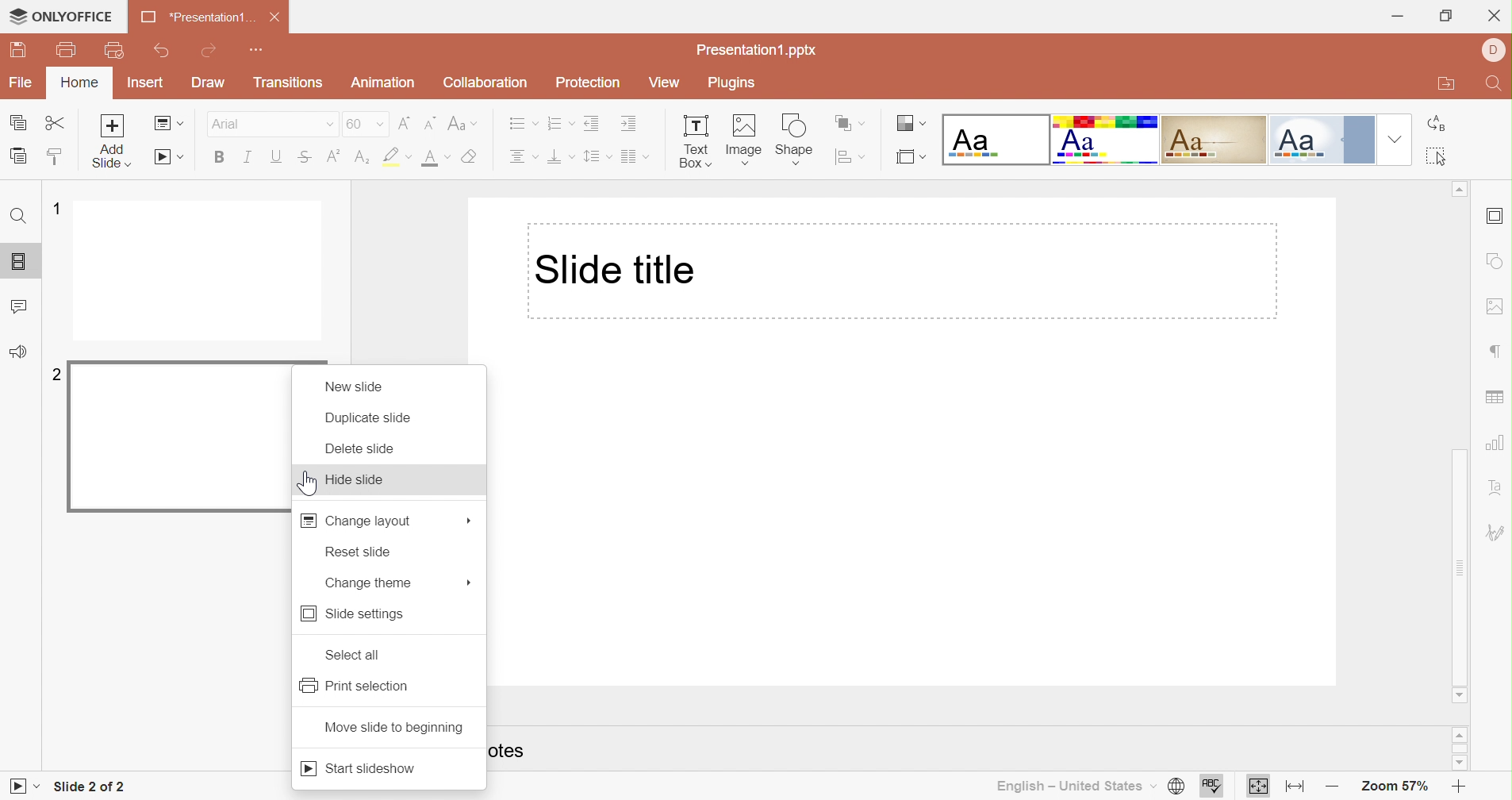 The image size is (1512, 800). Describe the element at coordinates (165, 54) in the screenshot. I see `Undo` at that location.